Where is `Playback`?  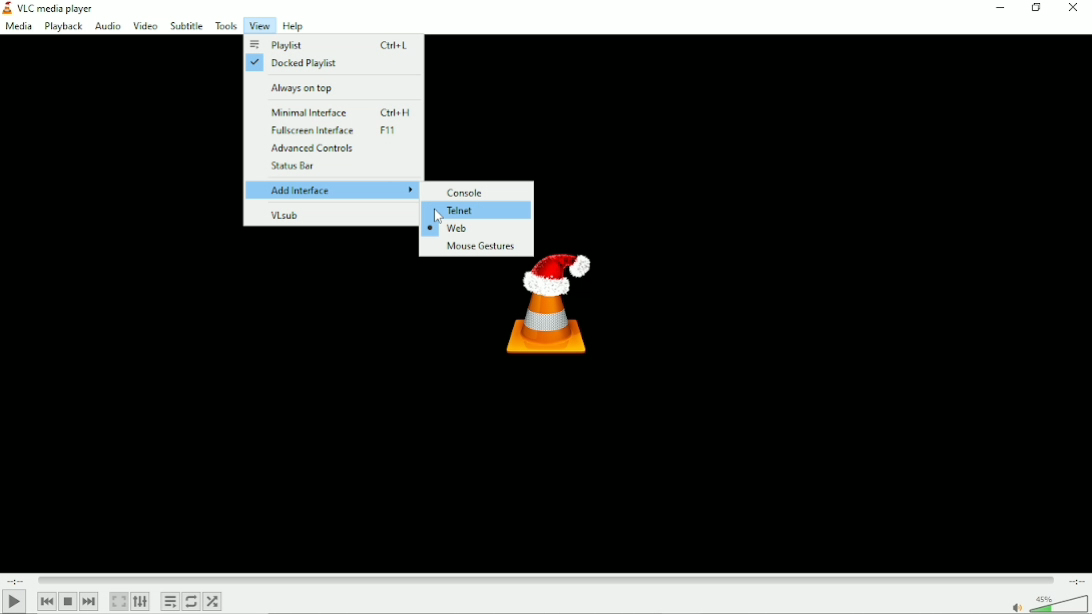
Playback is located at coordinates (62, 27).